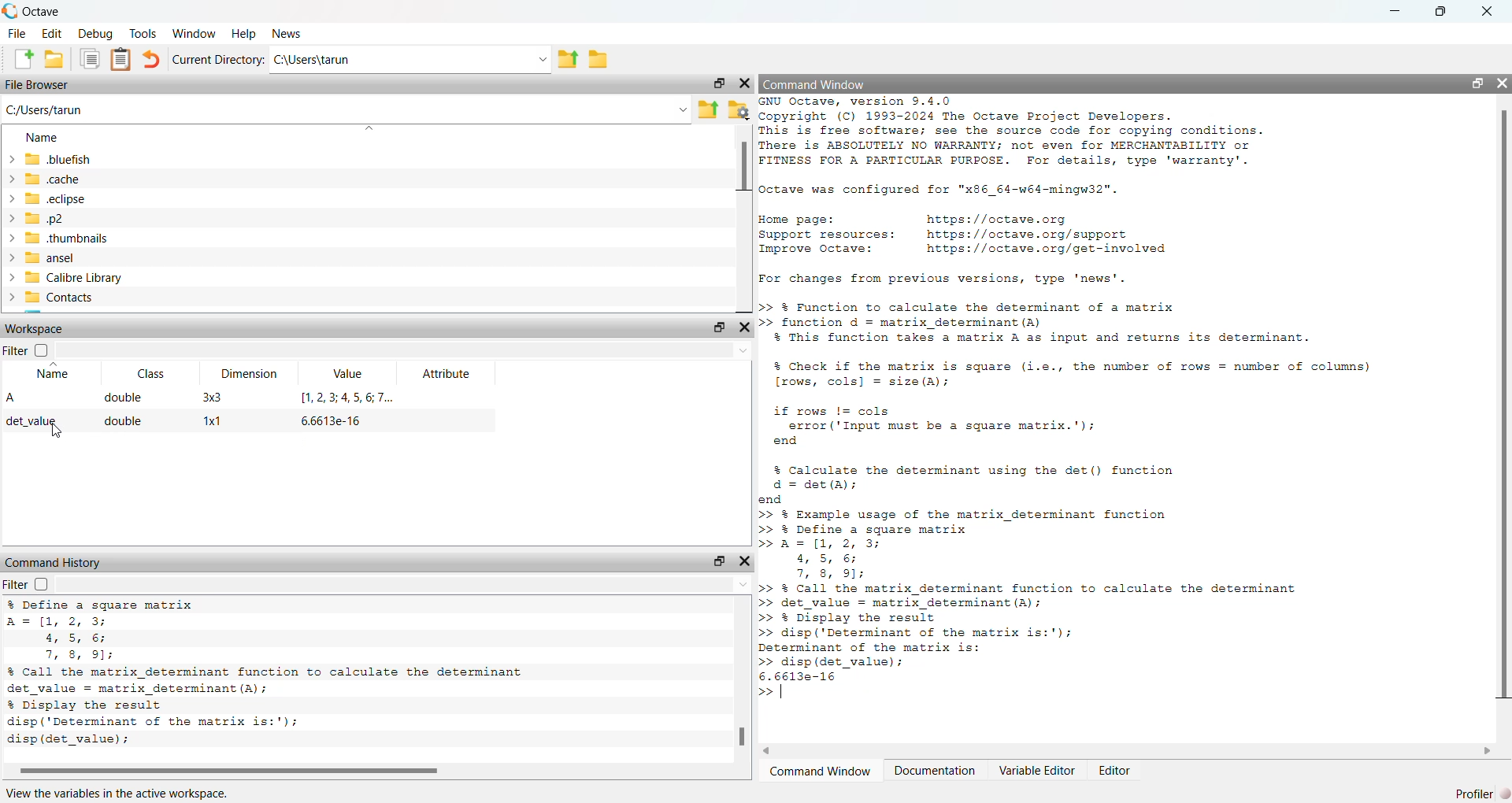 The height and width of the screenshot is (803, 1512). I want to click on close, so click(1487, 13).